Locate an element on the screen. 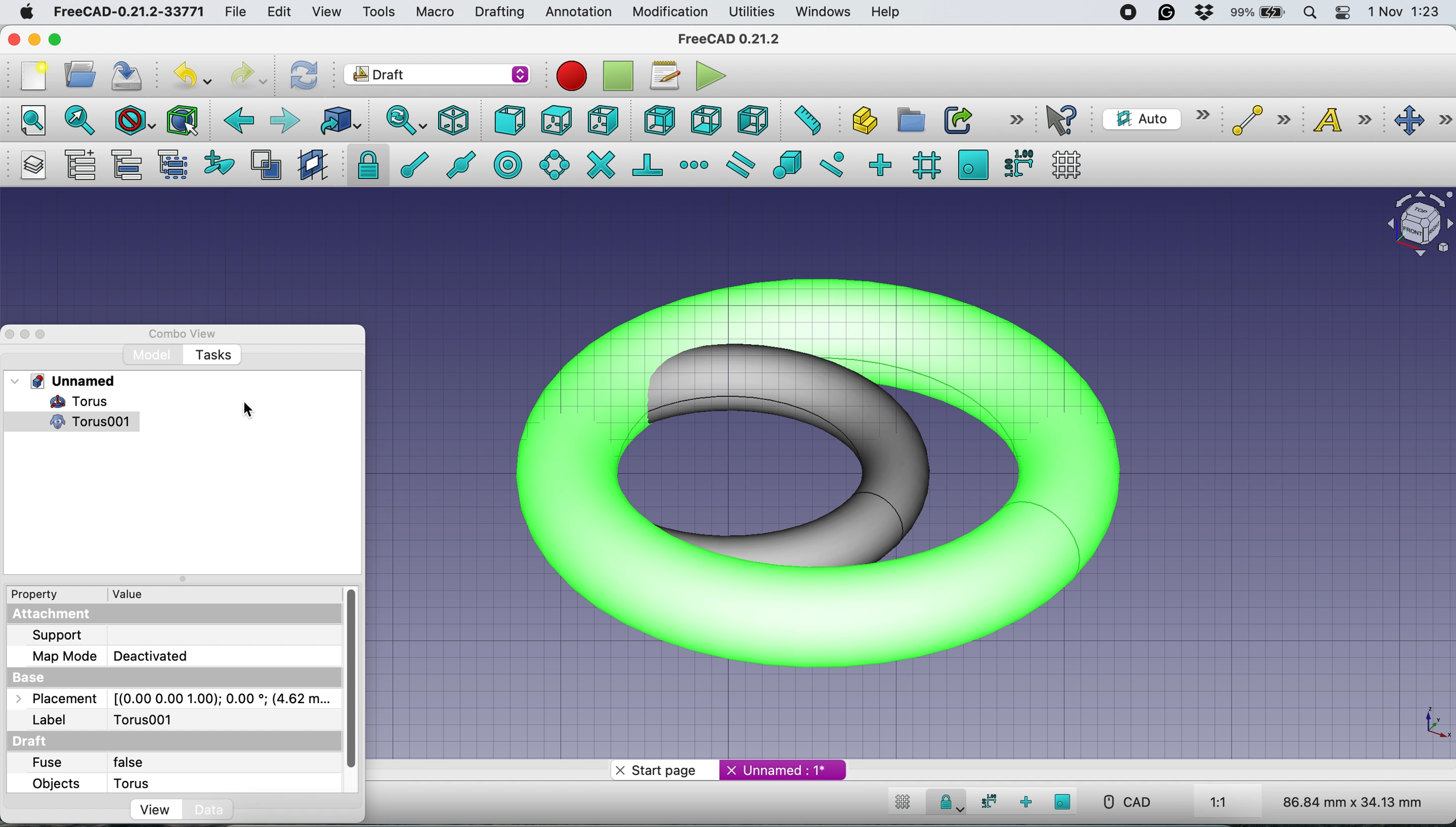 The width and height of the screenshot is (1456, 827). snap intersection is located at coordinates (600, 165).